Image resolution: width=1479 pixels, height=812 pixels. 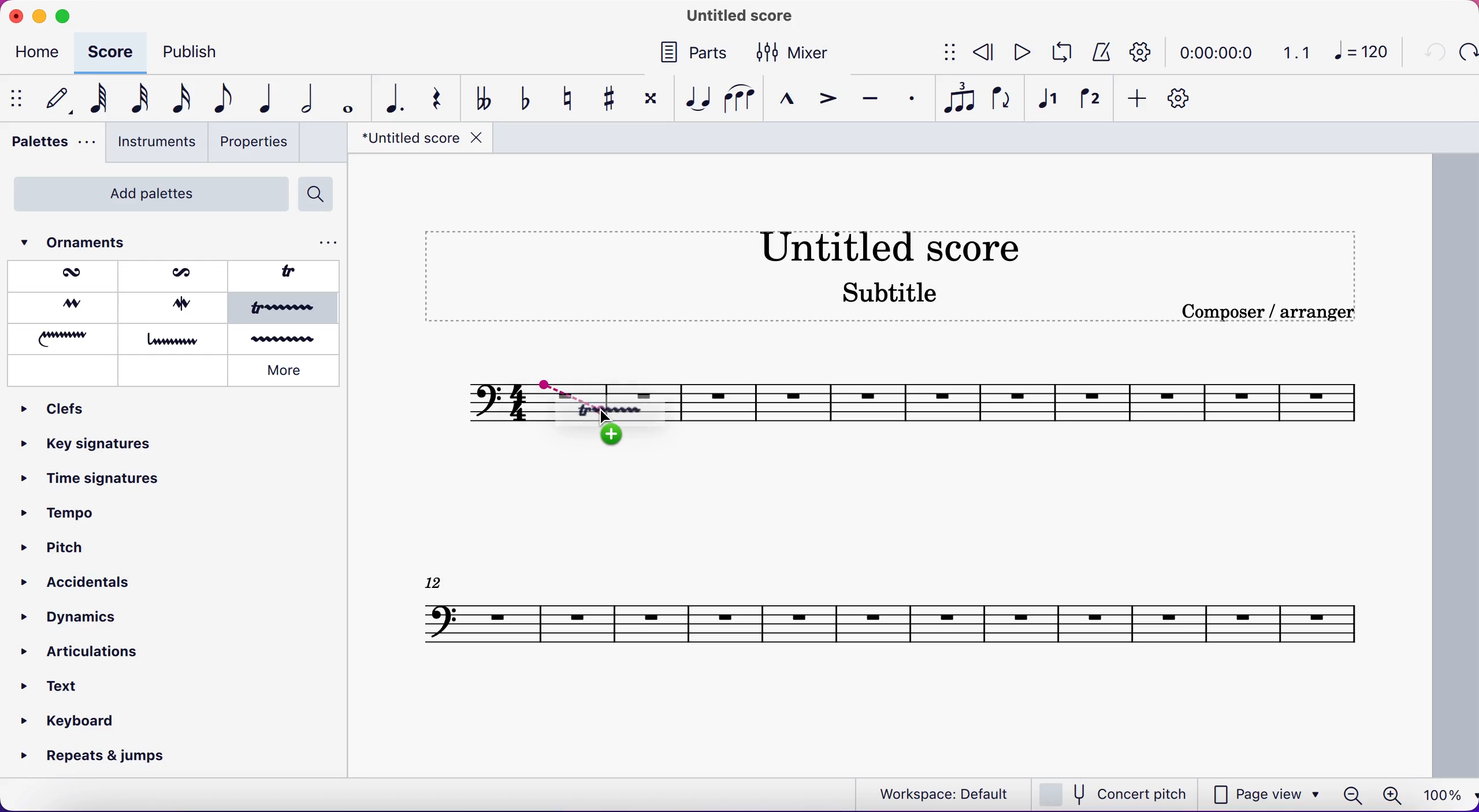 What do you see at coordinates (1116, 793) in the screenshot?
I see `concert pitch` at bounding box center [1116, 793].